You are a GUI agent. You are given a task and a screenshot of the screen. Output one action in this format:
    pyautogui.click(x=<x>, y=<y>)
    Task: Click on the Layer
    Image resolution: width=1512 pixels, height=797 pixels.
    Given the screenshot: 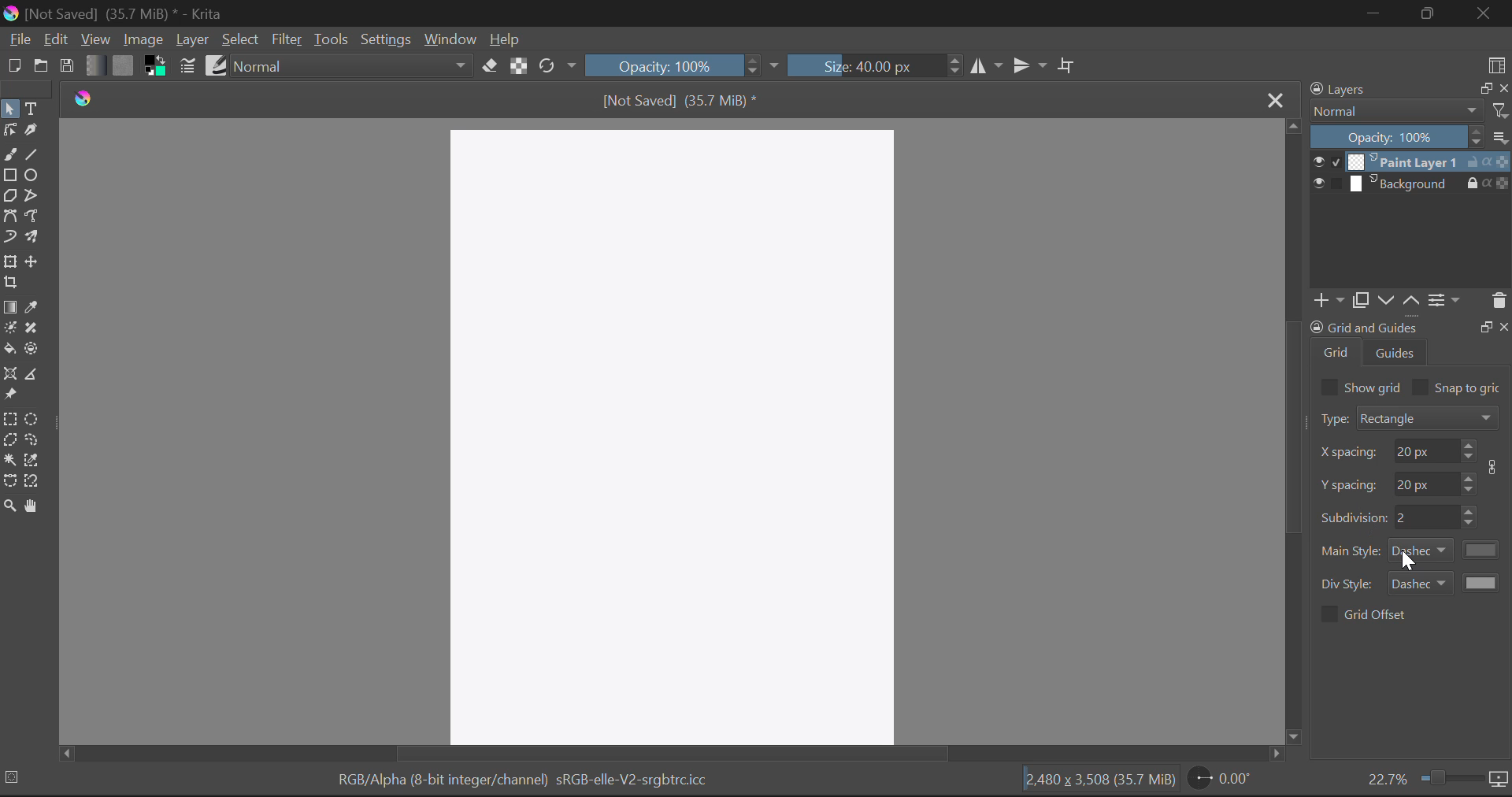 What is the action you would take?
    pyautogui.click(x=193, y=40)
    